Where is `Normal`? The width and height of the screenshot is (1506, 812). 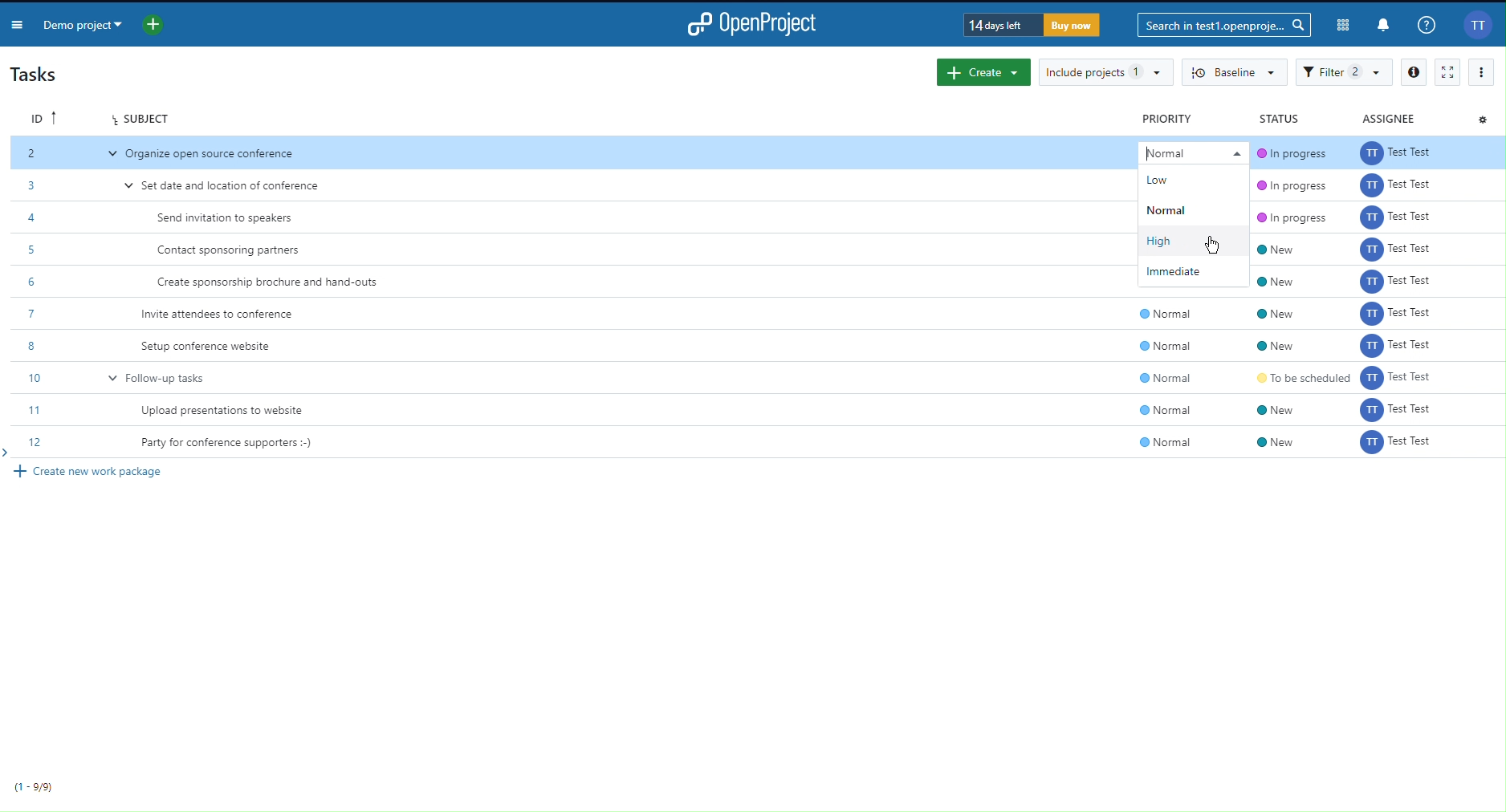 Normal is located at coordinates (1191, 151).